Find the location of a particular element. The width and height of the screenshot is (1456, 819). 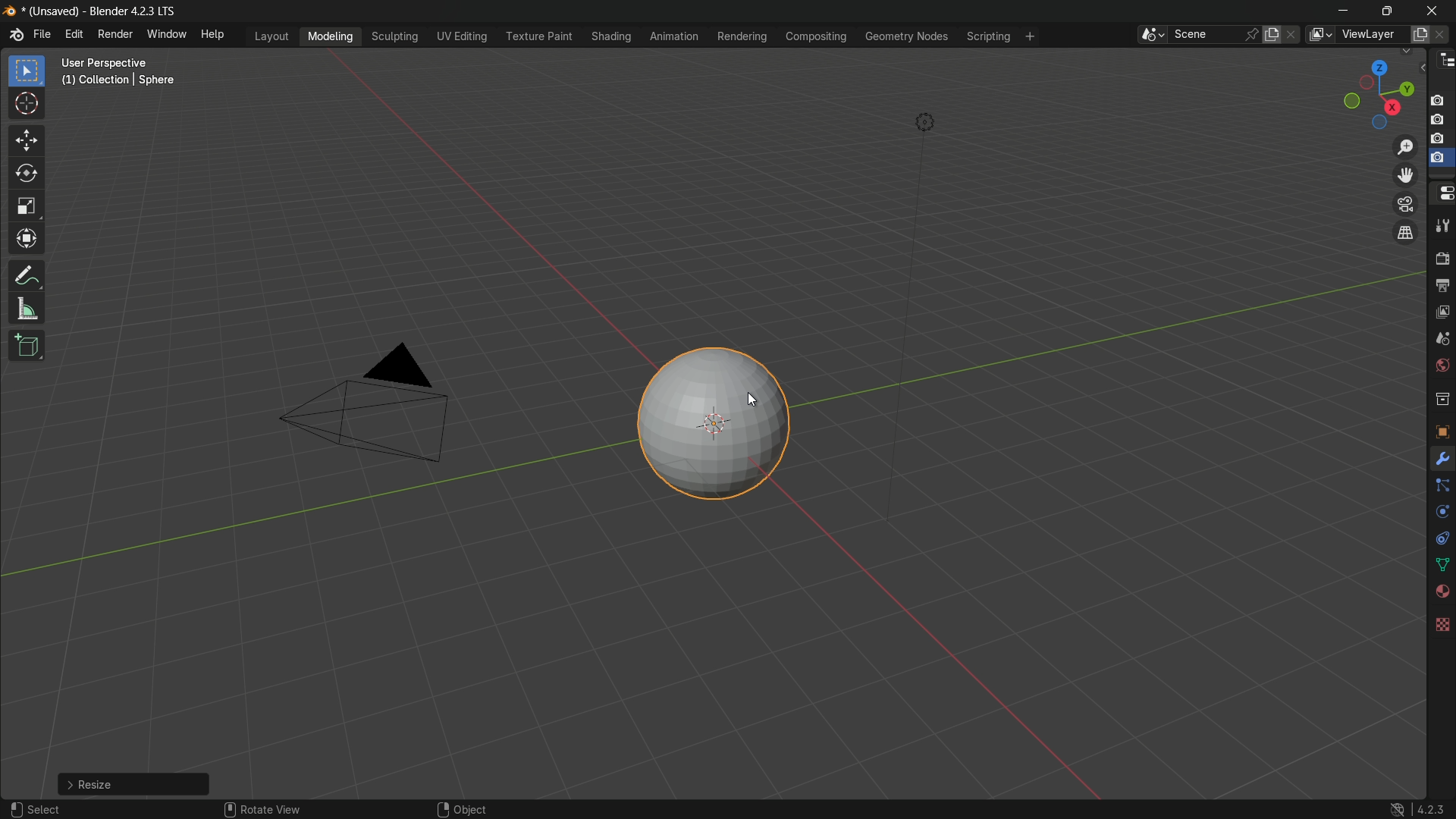

help menu is located at coordinates (215, 36).